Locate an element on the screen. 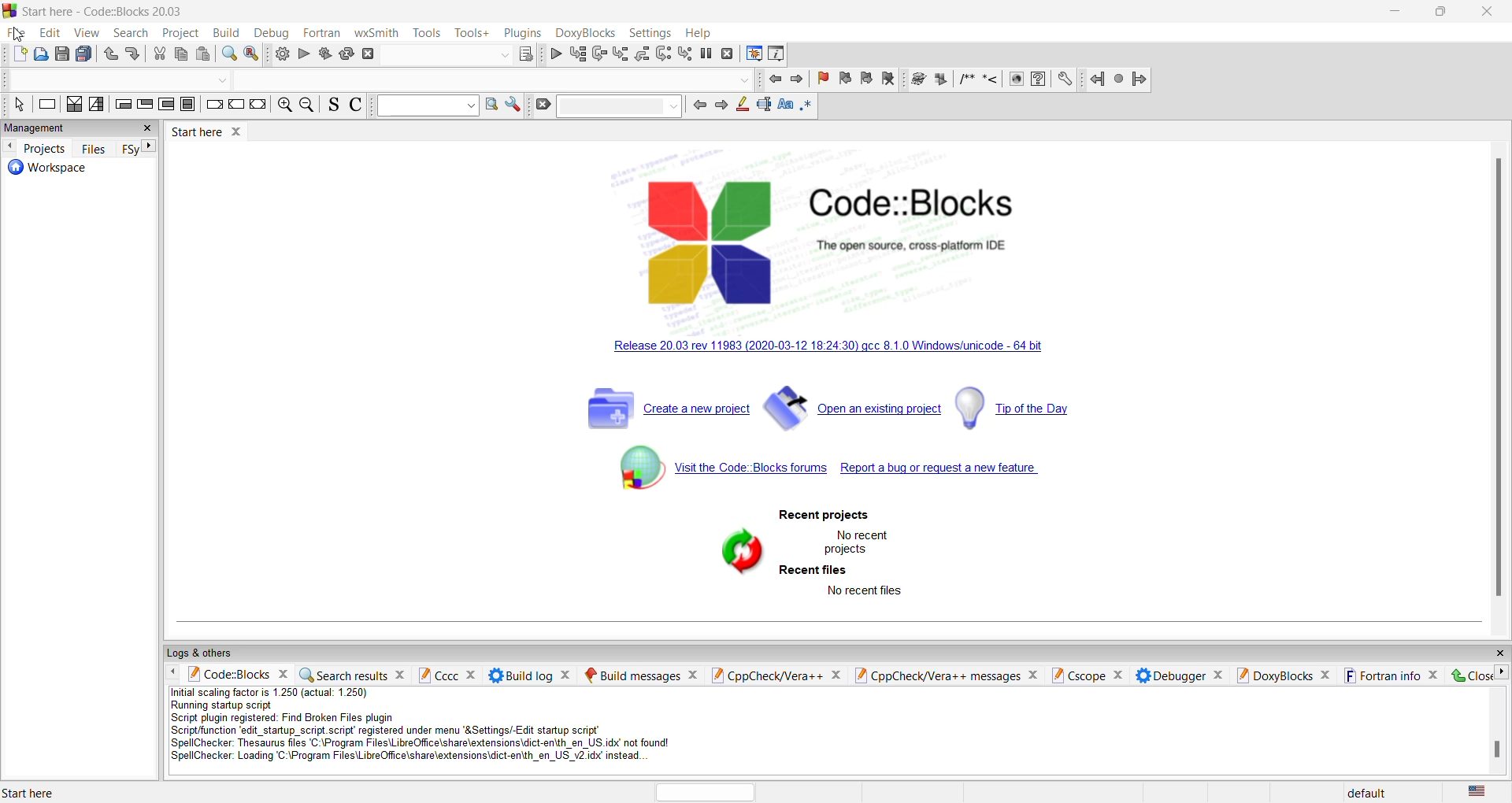 This screenshot has width=1512, height=803. doxyblocks is located at coordinates (1273, 675).